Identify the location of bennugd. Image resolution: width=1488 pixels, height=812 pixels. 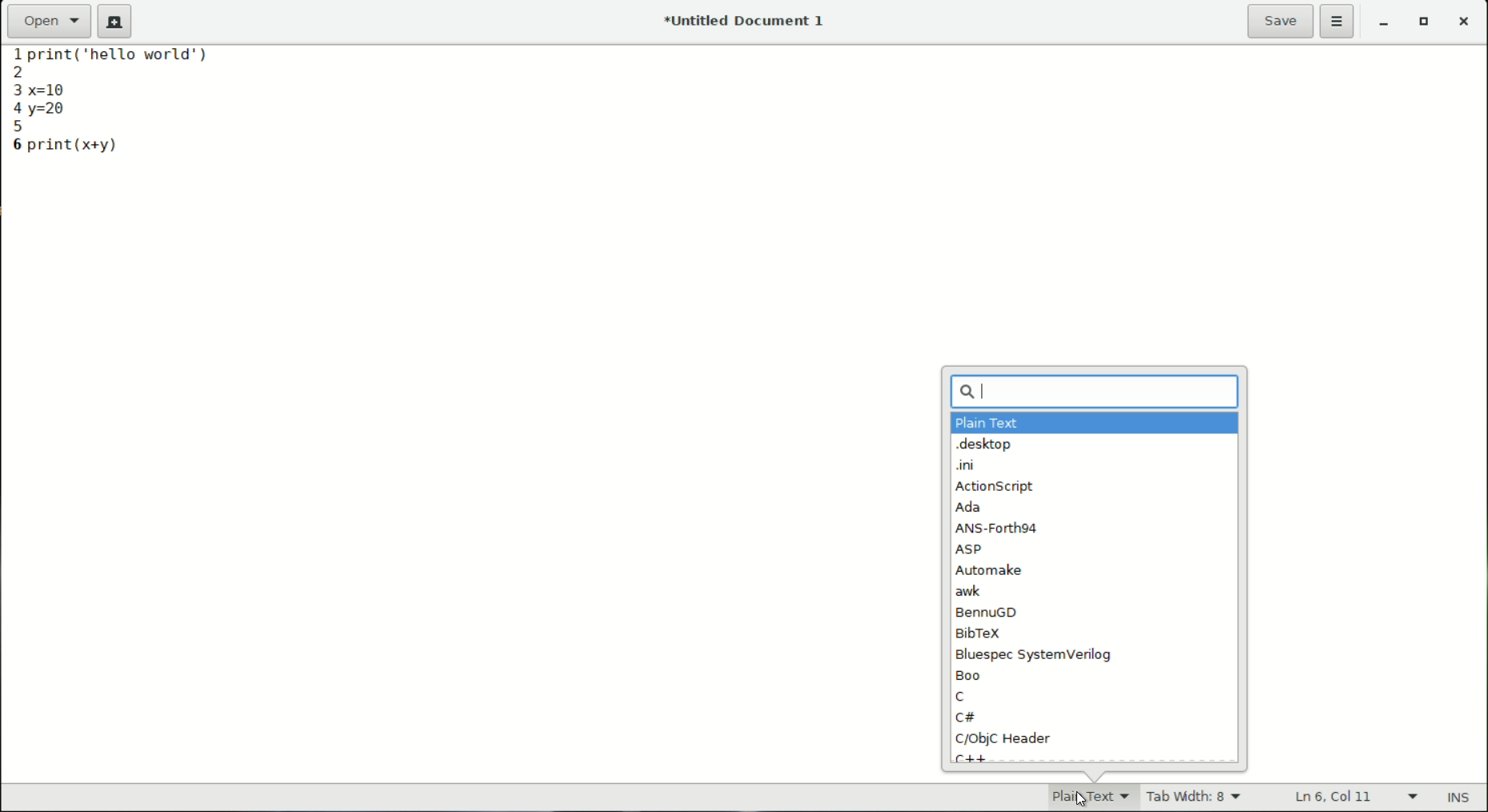
(989, 612).